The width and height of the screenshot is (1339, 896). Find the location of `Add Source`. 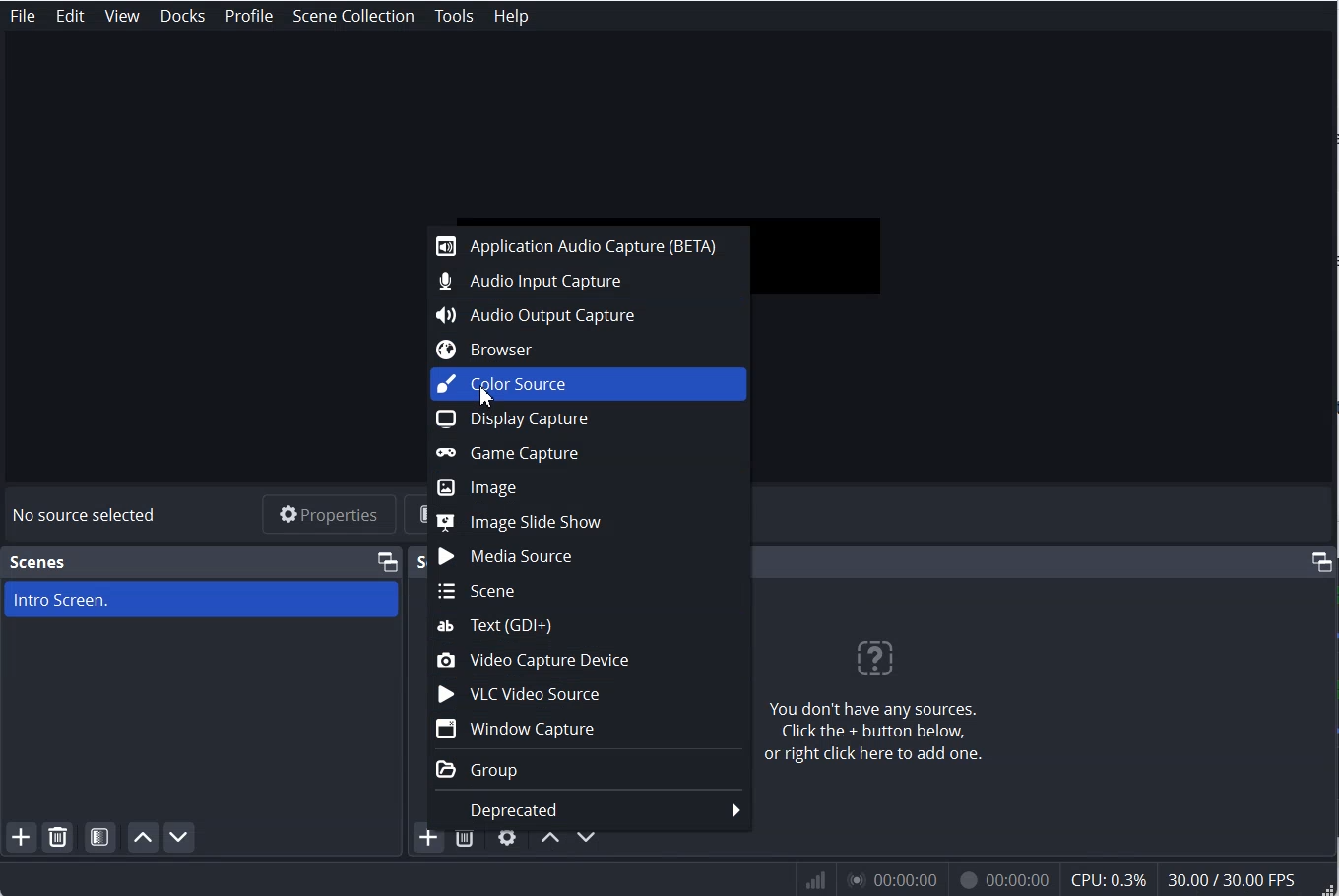

Add Source is located at coordinates (425, 842).